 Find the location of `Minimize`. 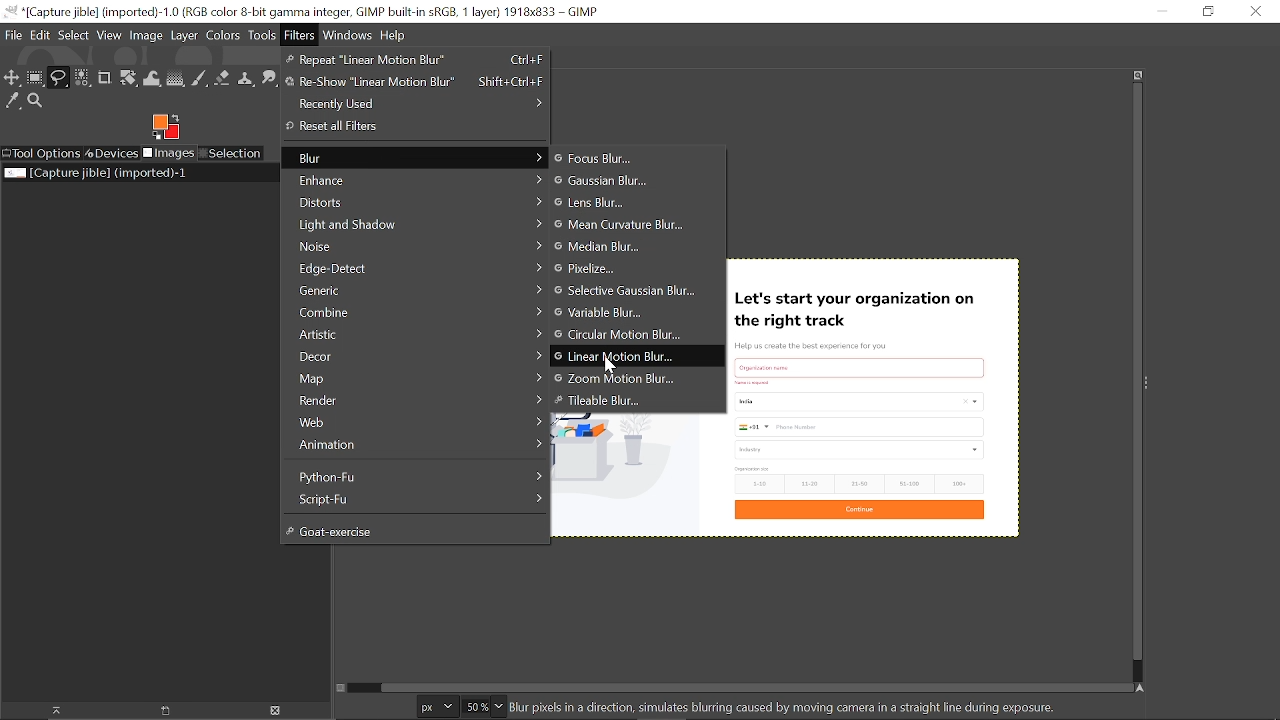

Minimize is located at coordinates (1159, 11).